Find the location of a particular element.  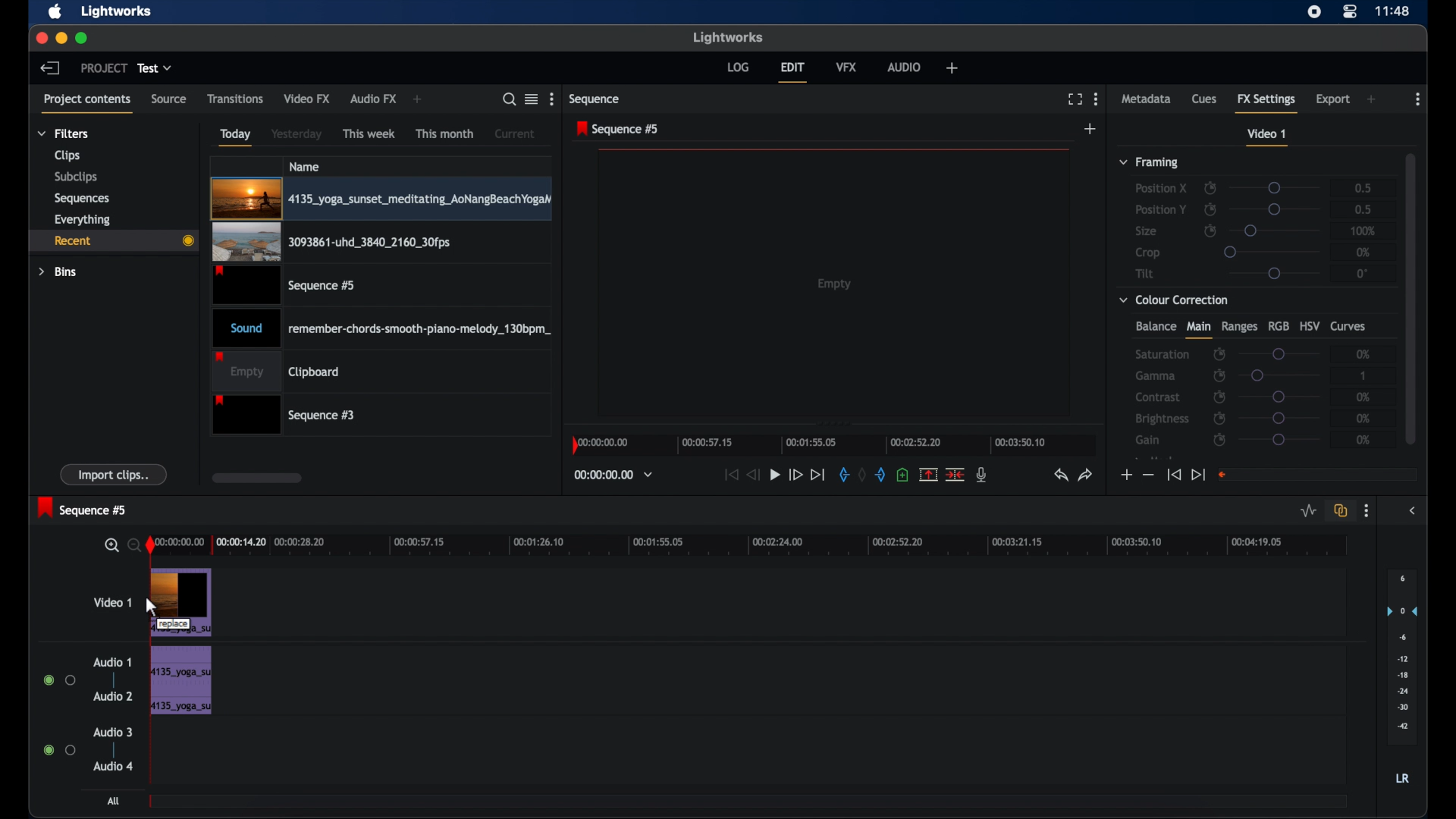

transitions is located at coordinates (235, 98).